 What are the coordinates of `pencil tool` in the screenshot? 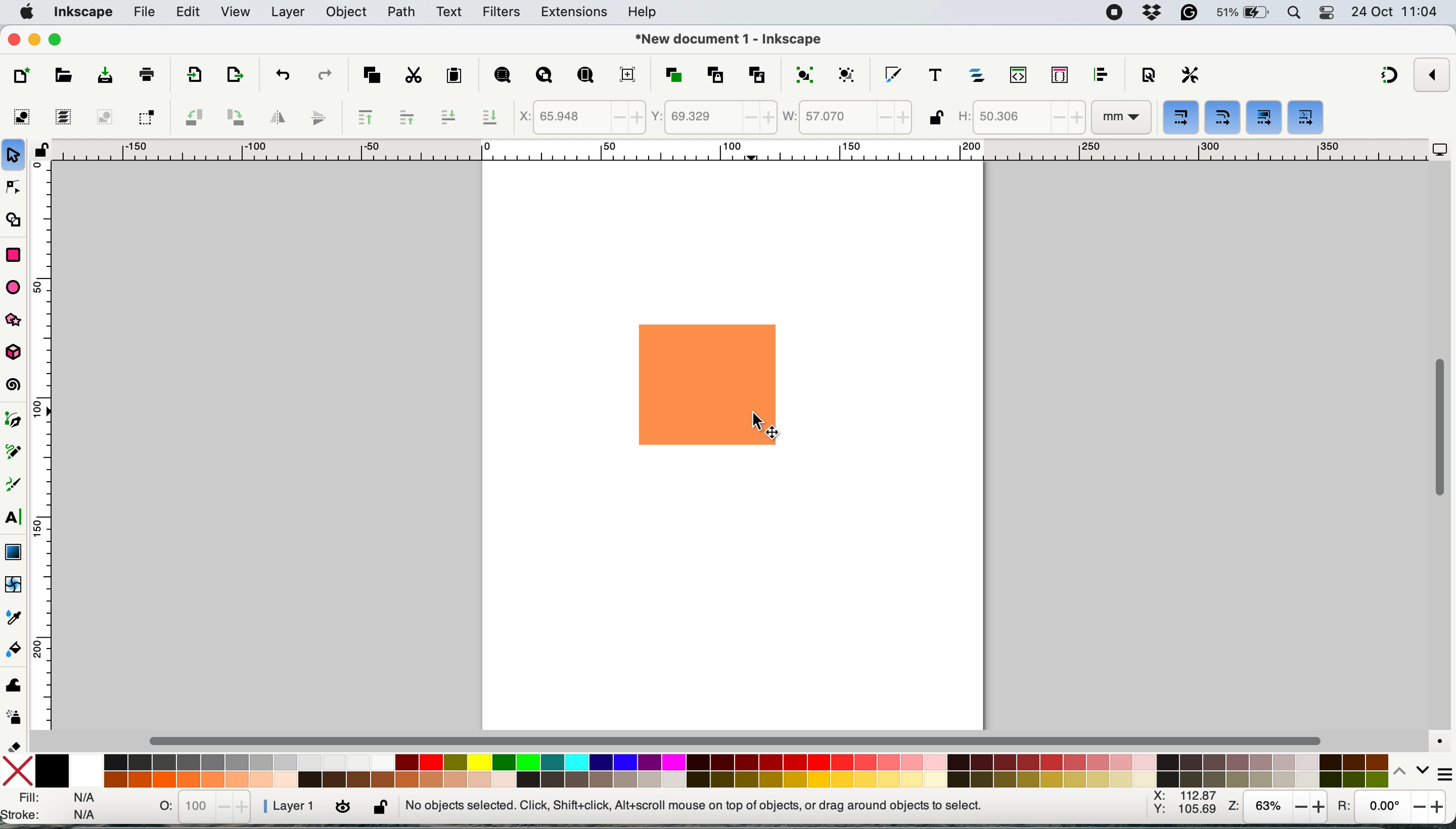 It's located at (18, 455).